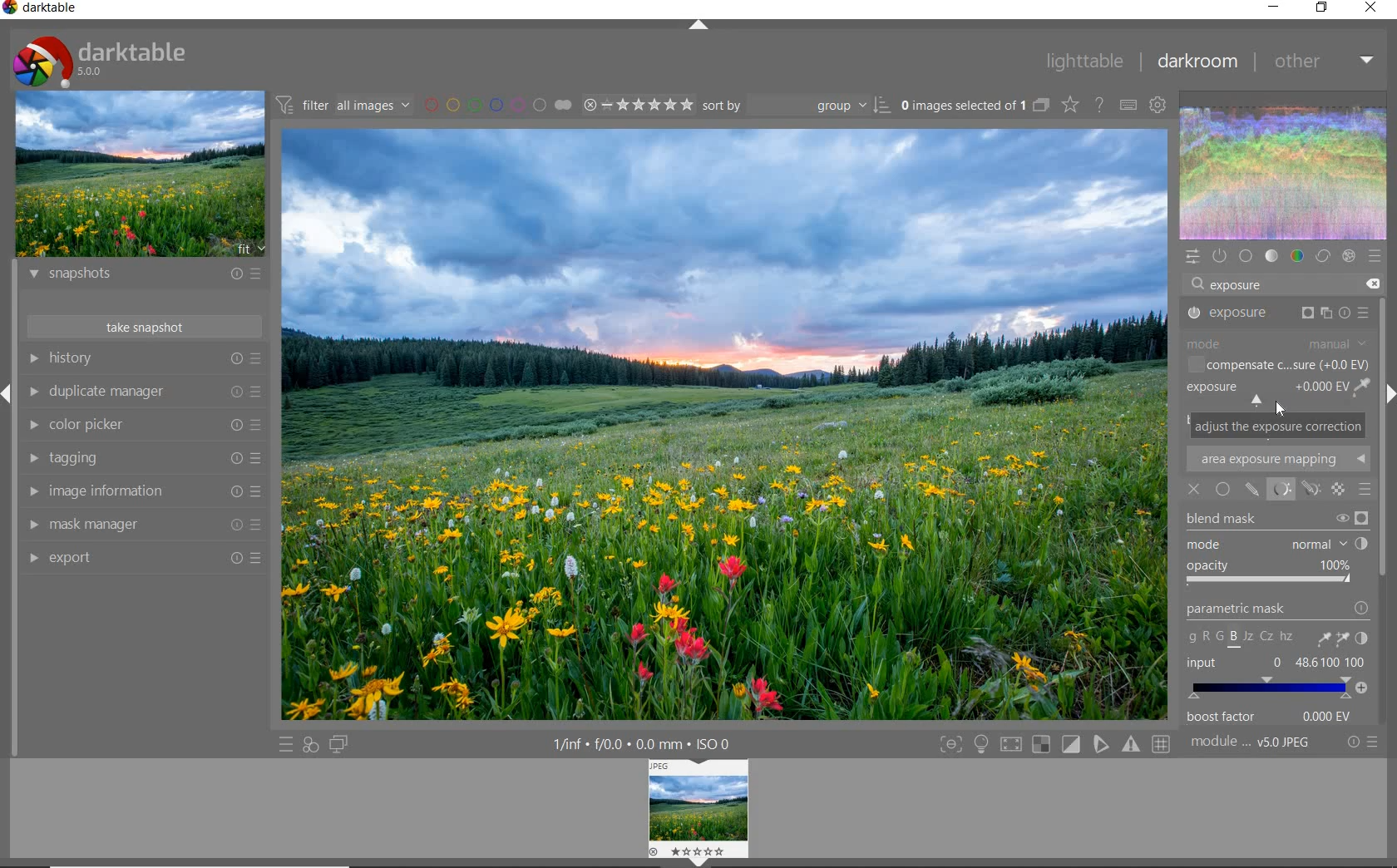 The image size is (1397, 868). Describe the element at coordinates (496, 105) in the screenshot. I see `filter by image color` at that location.